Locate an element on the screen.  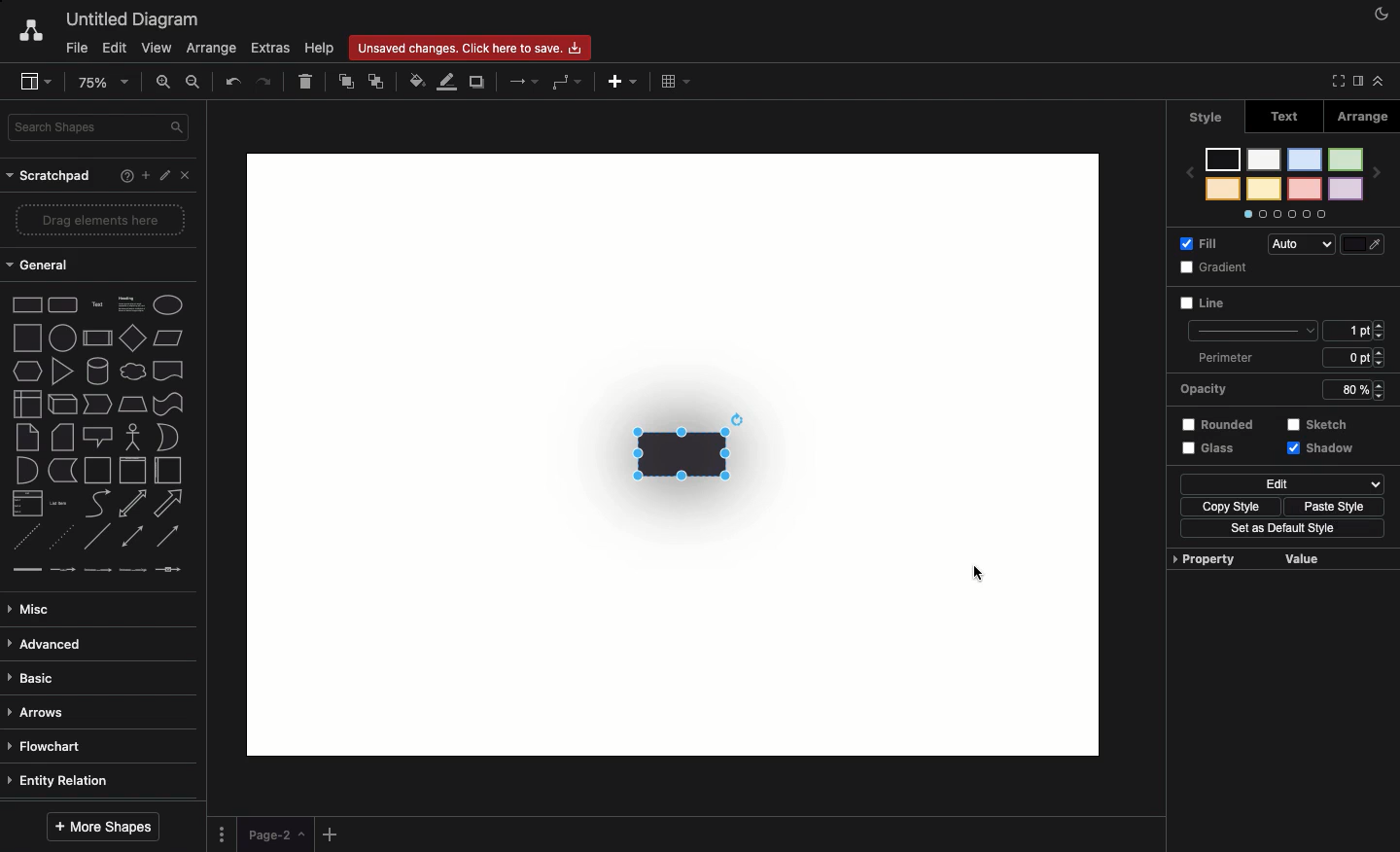
Set as default style is located at coordinates (1278, 530).